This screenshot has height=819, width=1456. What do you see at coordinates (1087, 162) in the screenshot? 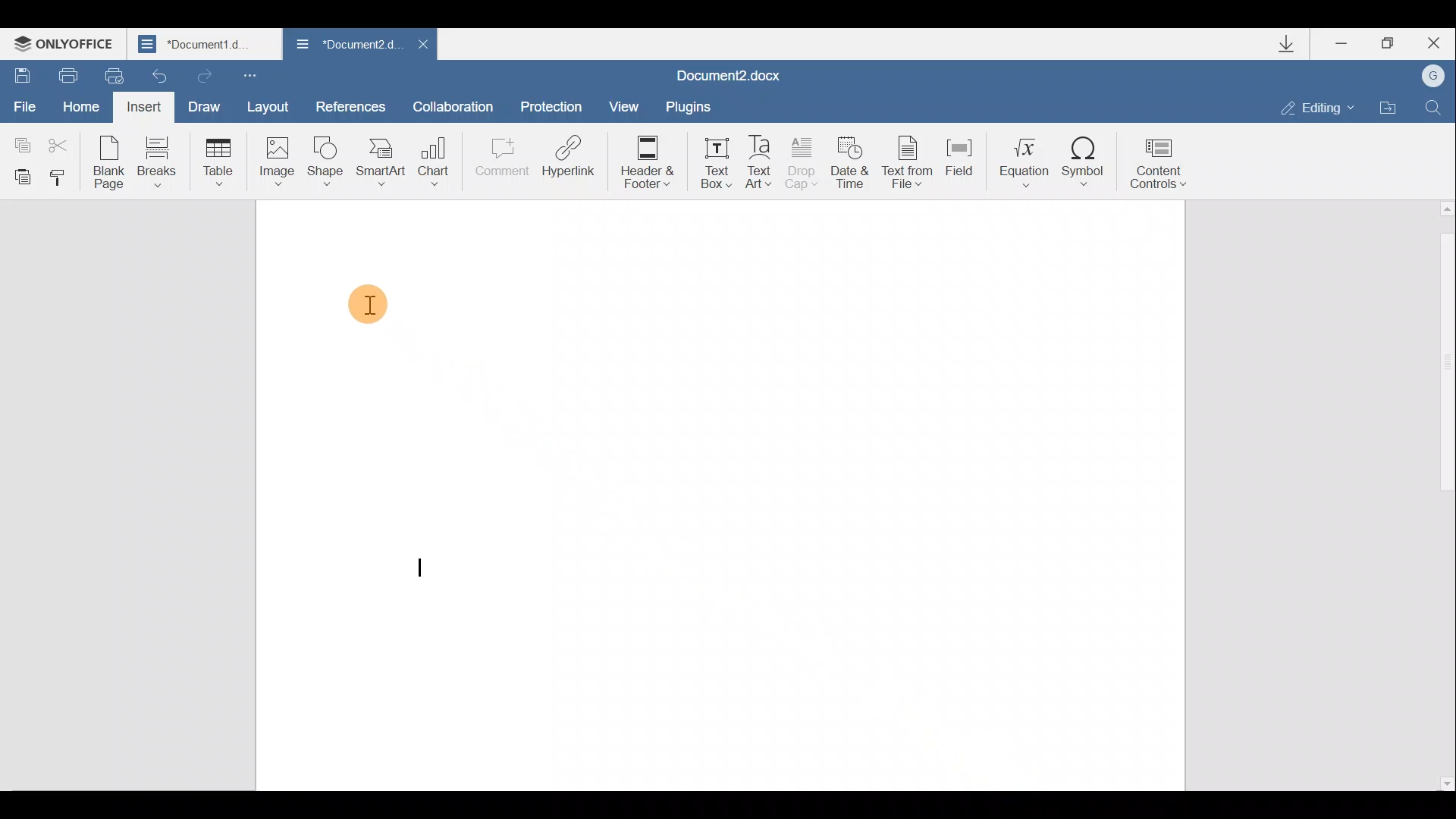
I see `Symbol` at bounding box center [1087, 162].